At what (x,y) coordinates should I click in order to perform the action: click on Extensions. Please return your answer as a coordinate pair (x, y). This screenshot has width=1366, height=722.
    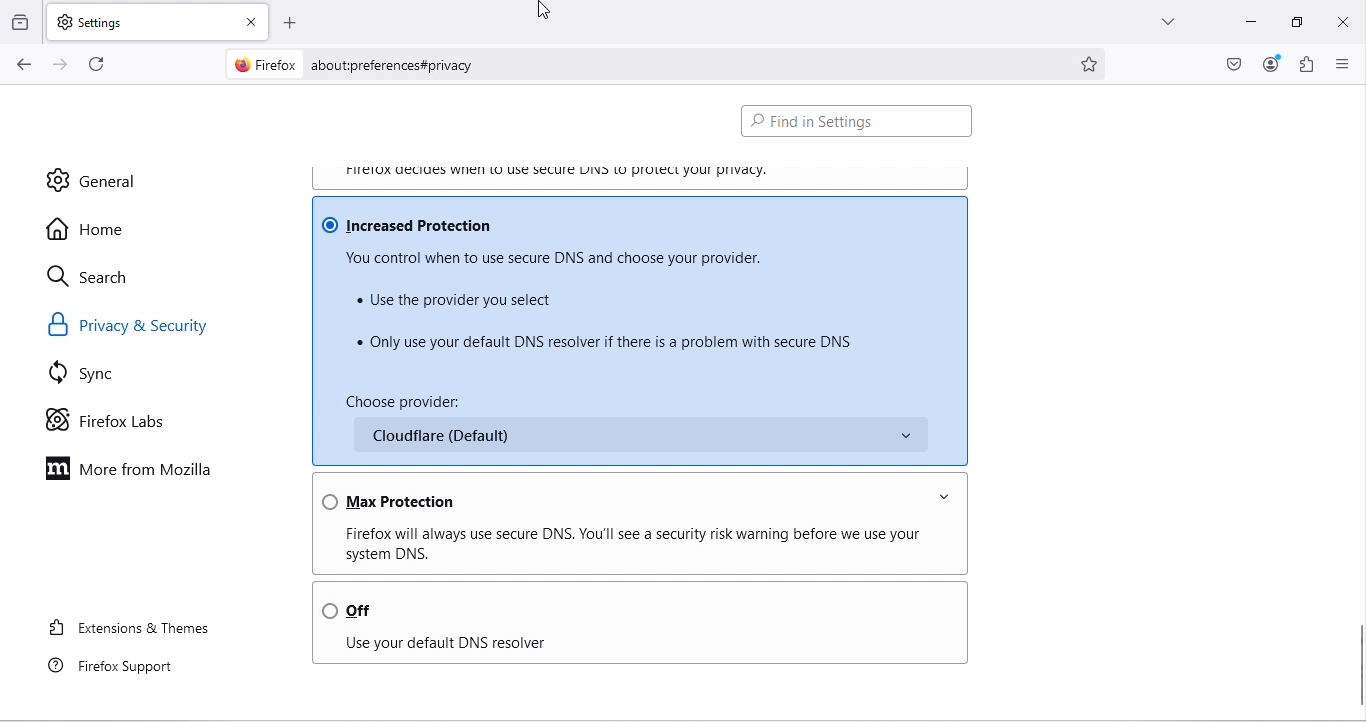
    Looking at the image, I should click on (1307, 65).